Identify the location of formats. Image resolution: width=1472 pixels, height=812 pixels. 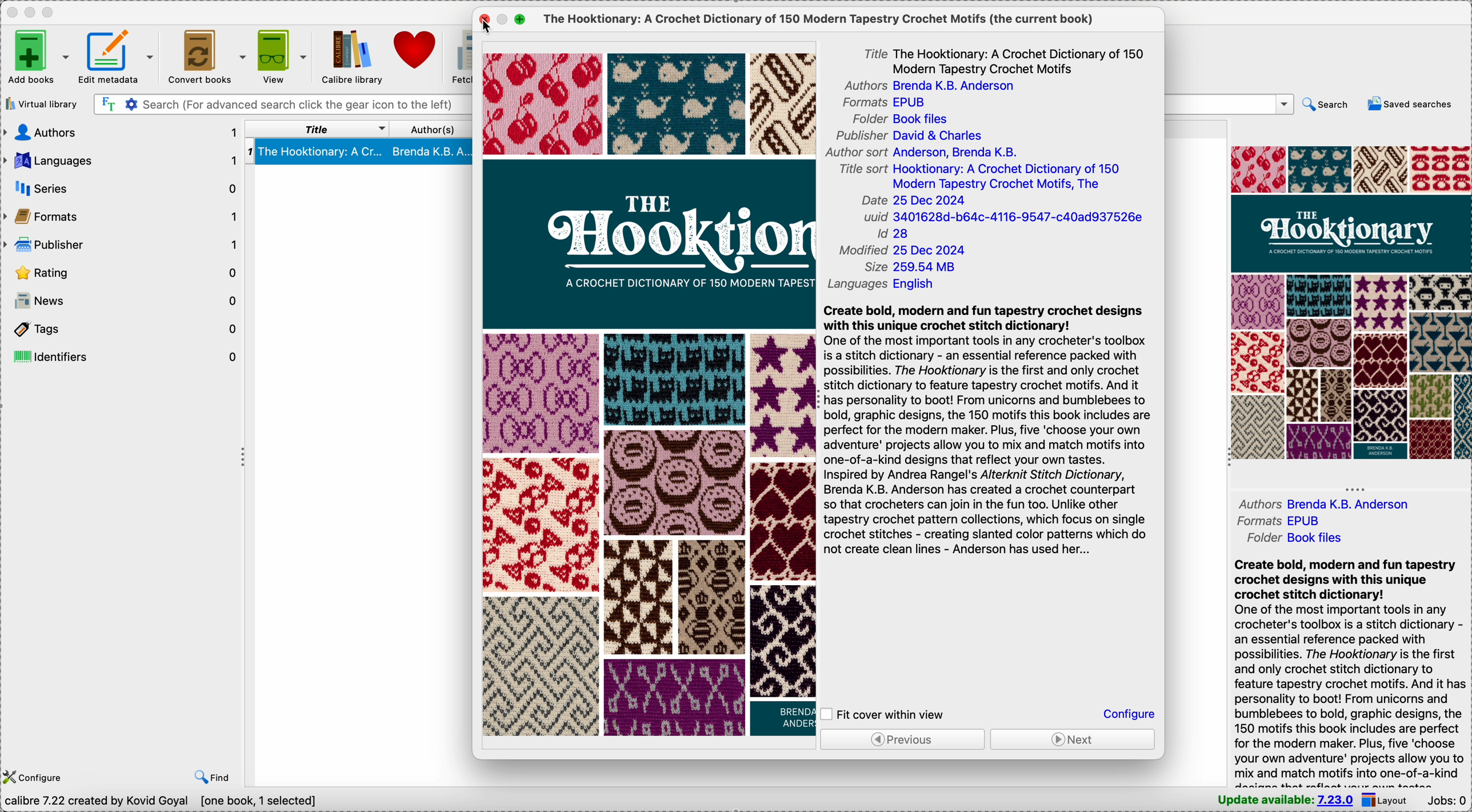
(1278, 523).